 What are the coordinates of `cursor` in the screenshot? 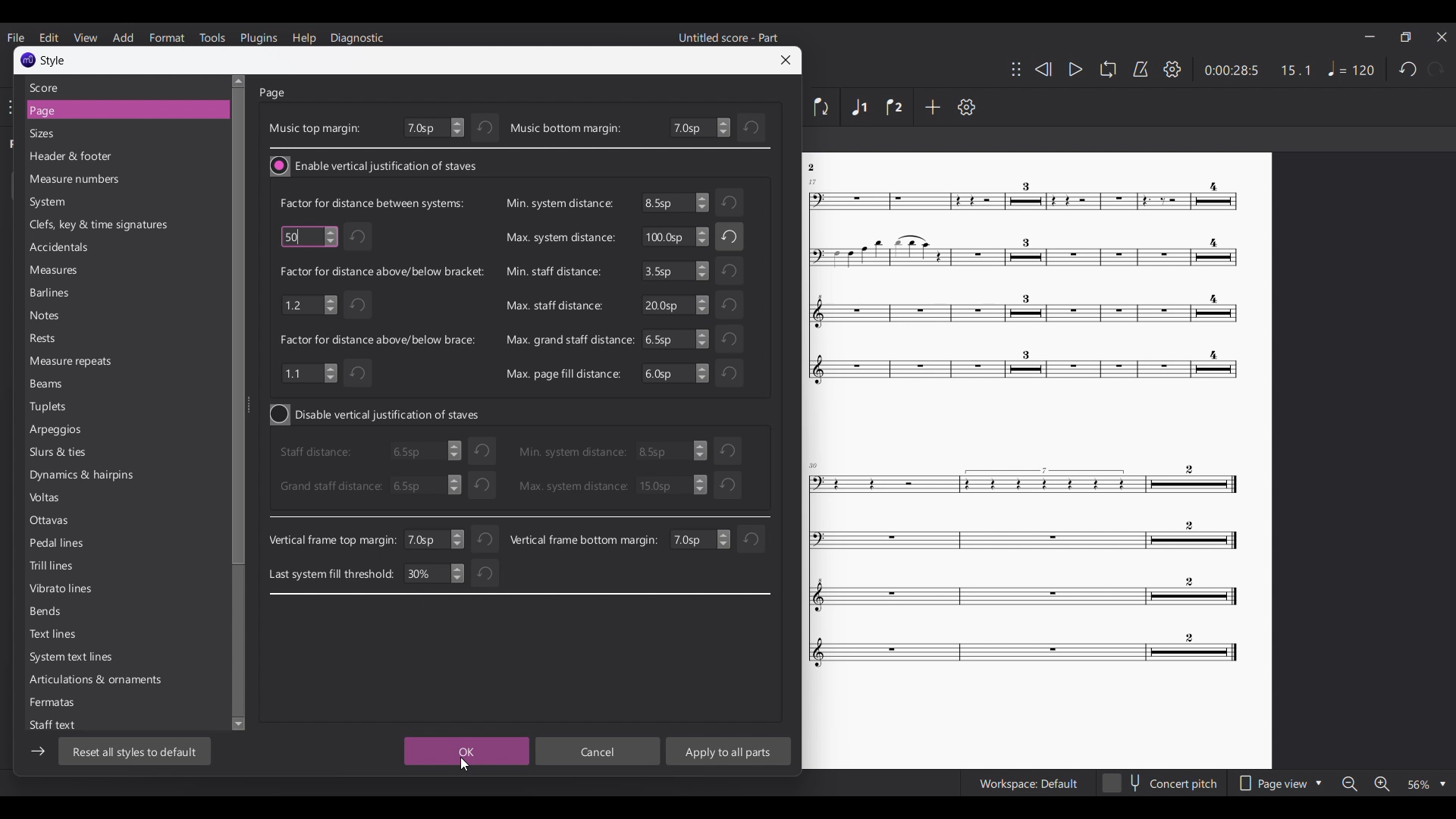 It's located at (300, 237).